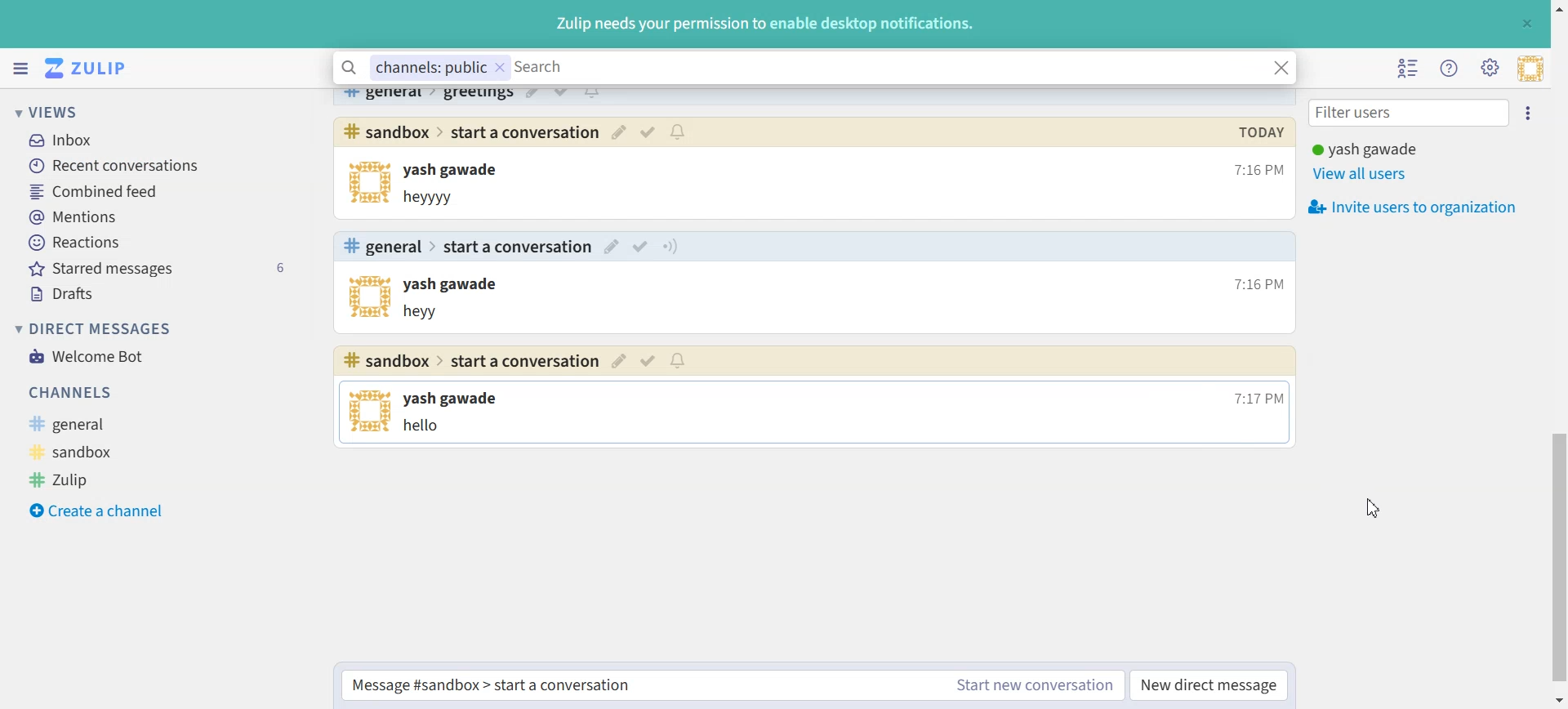 The width and height of the screenshot is (1568, 709). I want to click on Configure topic notification, so click(670, 246).